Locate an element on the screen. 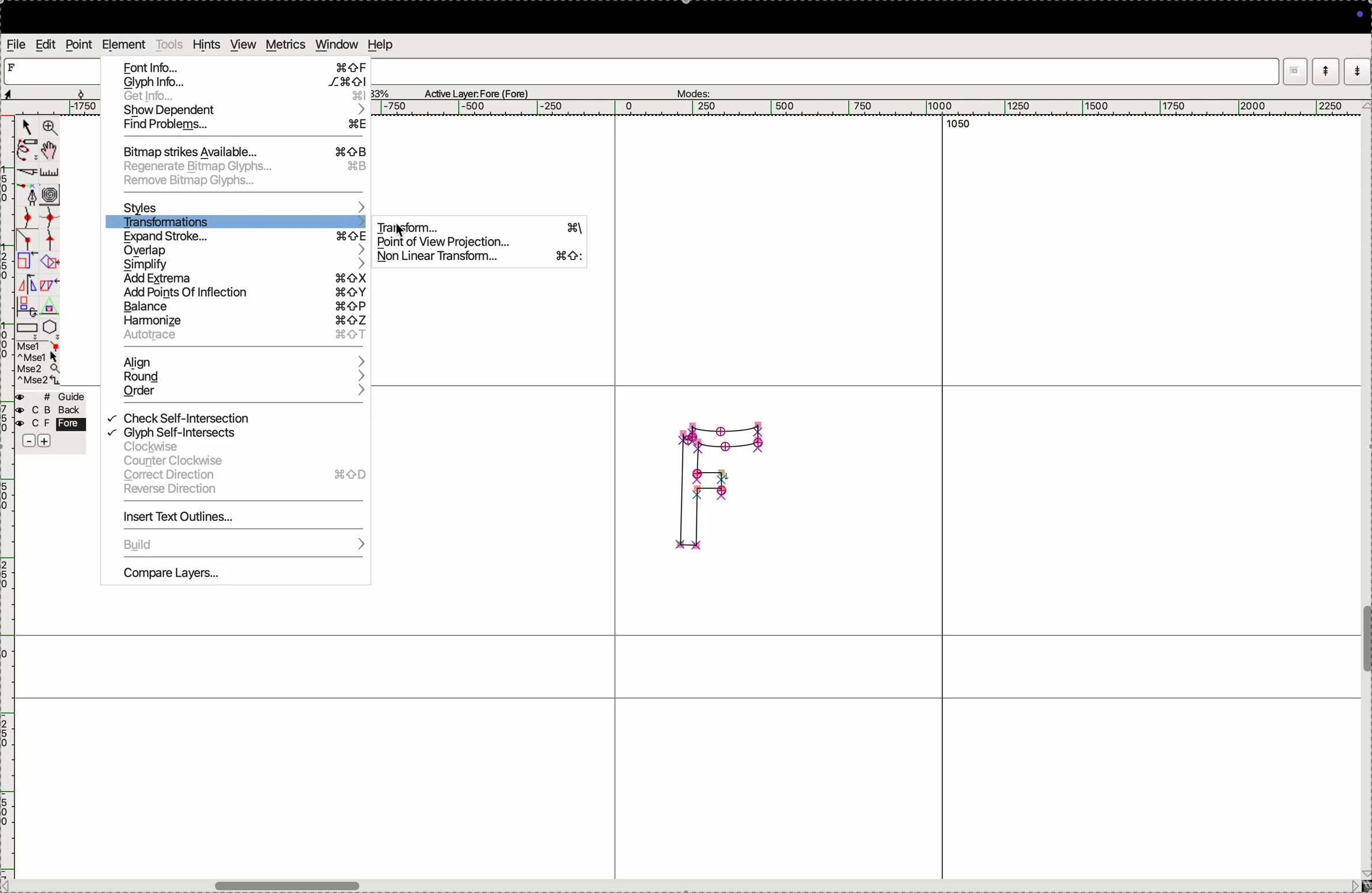 This screenshot has height=893, width=1372. window mode is located at coordinates (1295, 73).